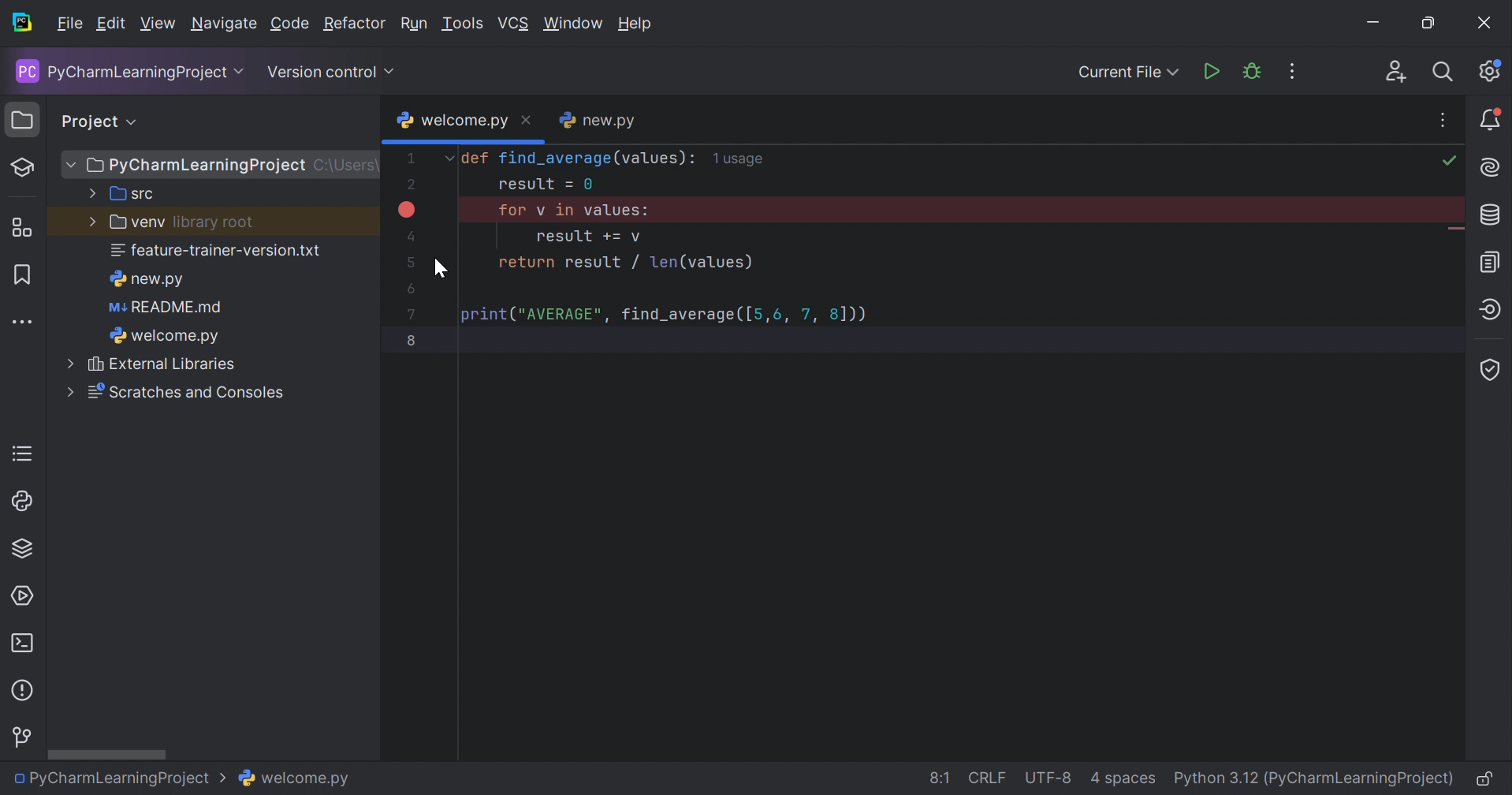 The height and width of the screenshot is (795, 1512). I want to click on Current Fil, so click(1128, 74).